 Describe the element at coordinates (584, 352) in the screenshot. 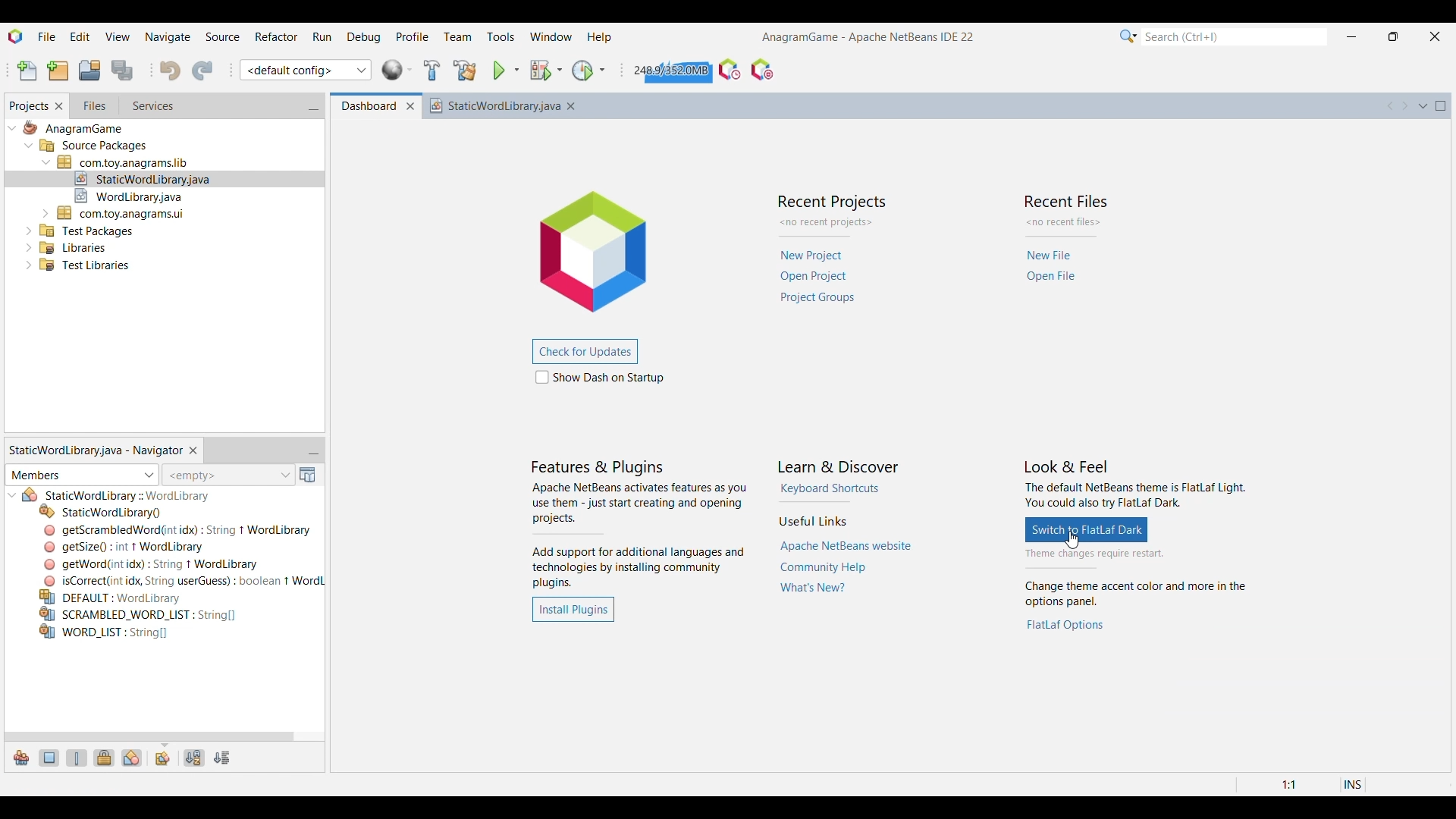

I see `Click to check for updates` at that location.